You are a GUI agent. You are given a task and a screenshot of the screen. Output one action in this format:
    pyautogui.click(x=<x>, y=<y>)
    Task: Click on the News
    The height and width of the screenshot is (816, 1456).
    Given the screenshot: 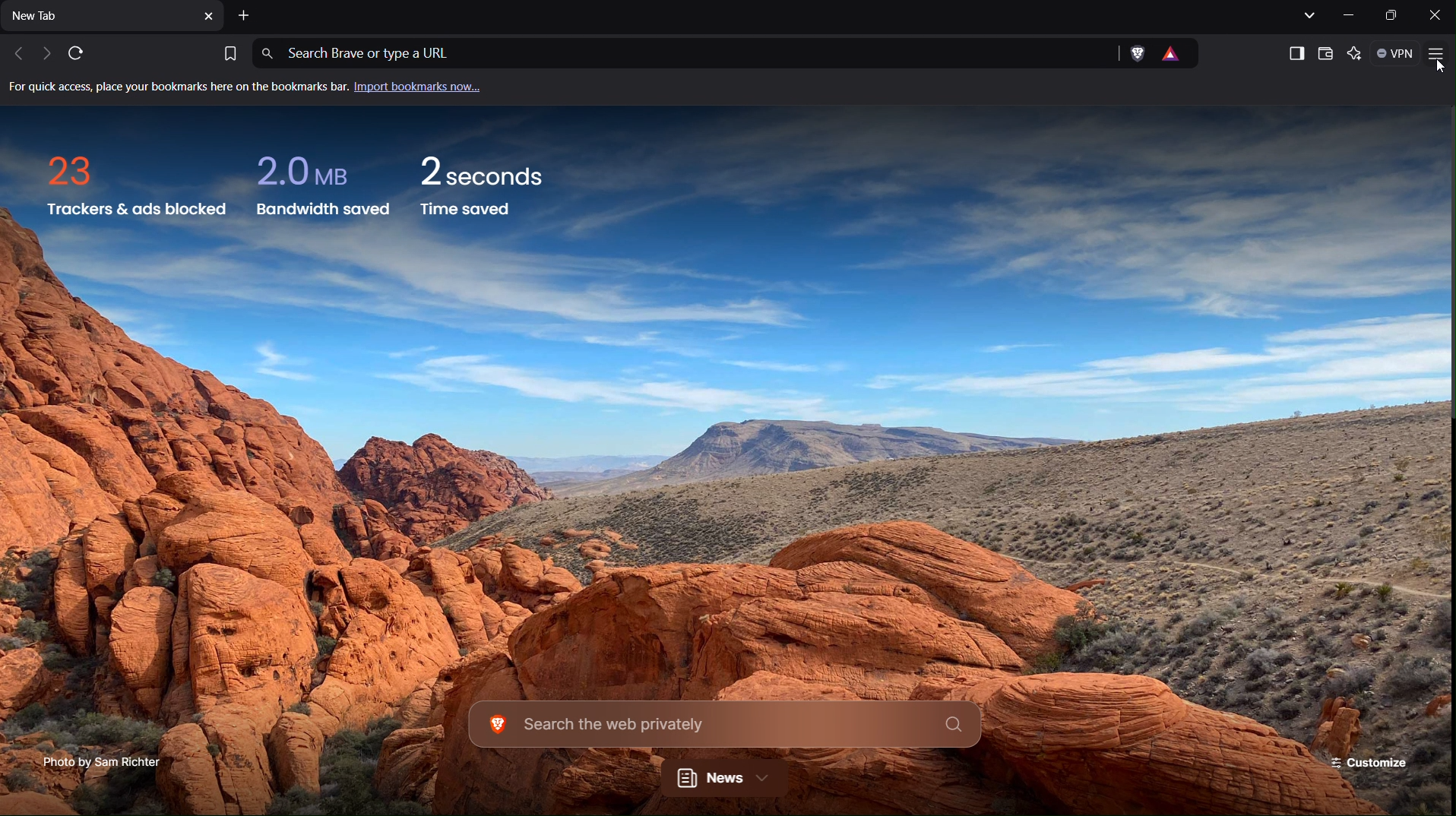 What is the action you would take?
    pyautogui.click(x=730, y=779)
    